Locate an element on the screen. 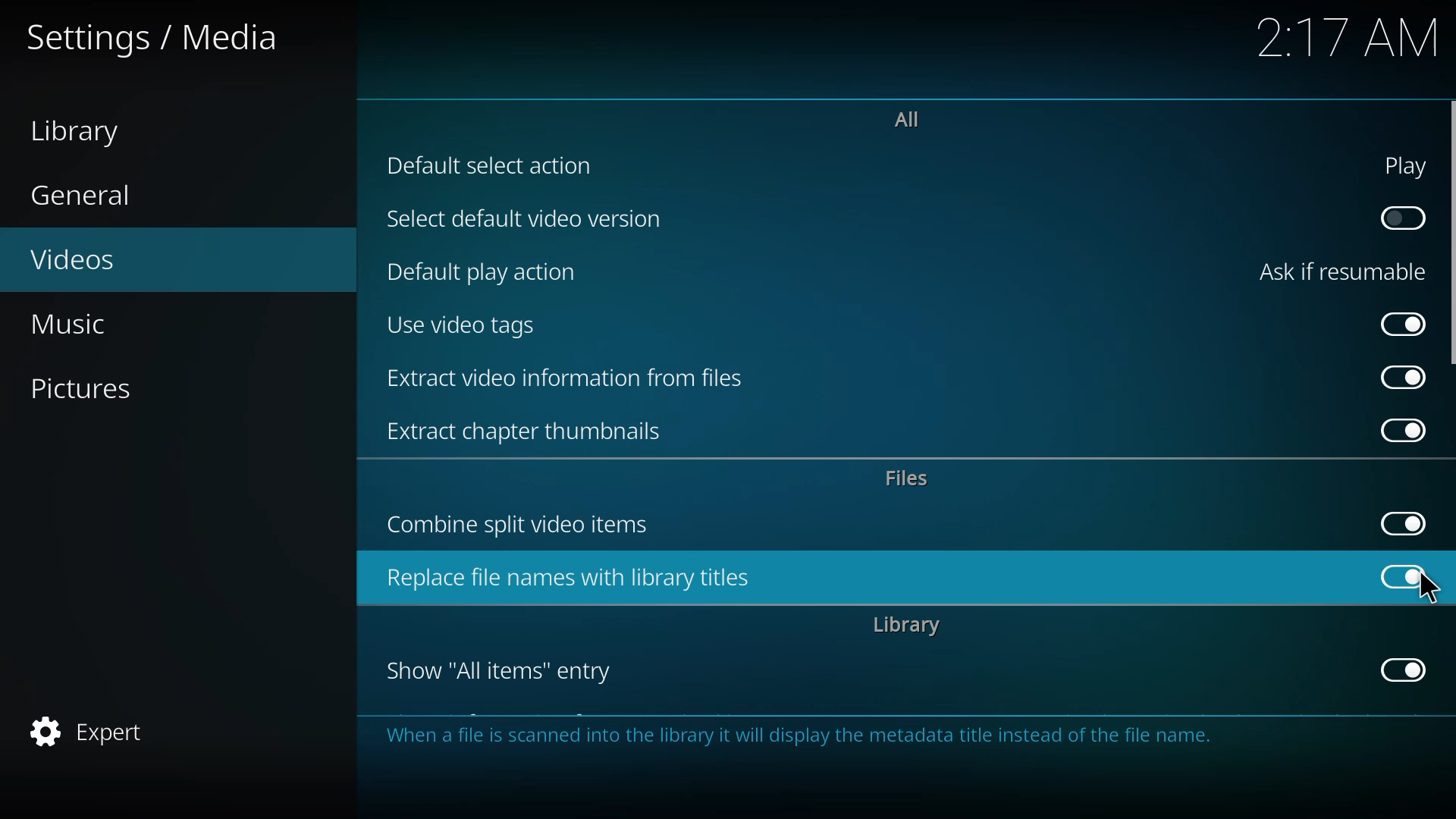  extract chapter thumbnails is located at coordinates (531, 429).